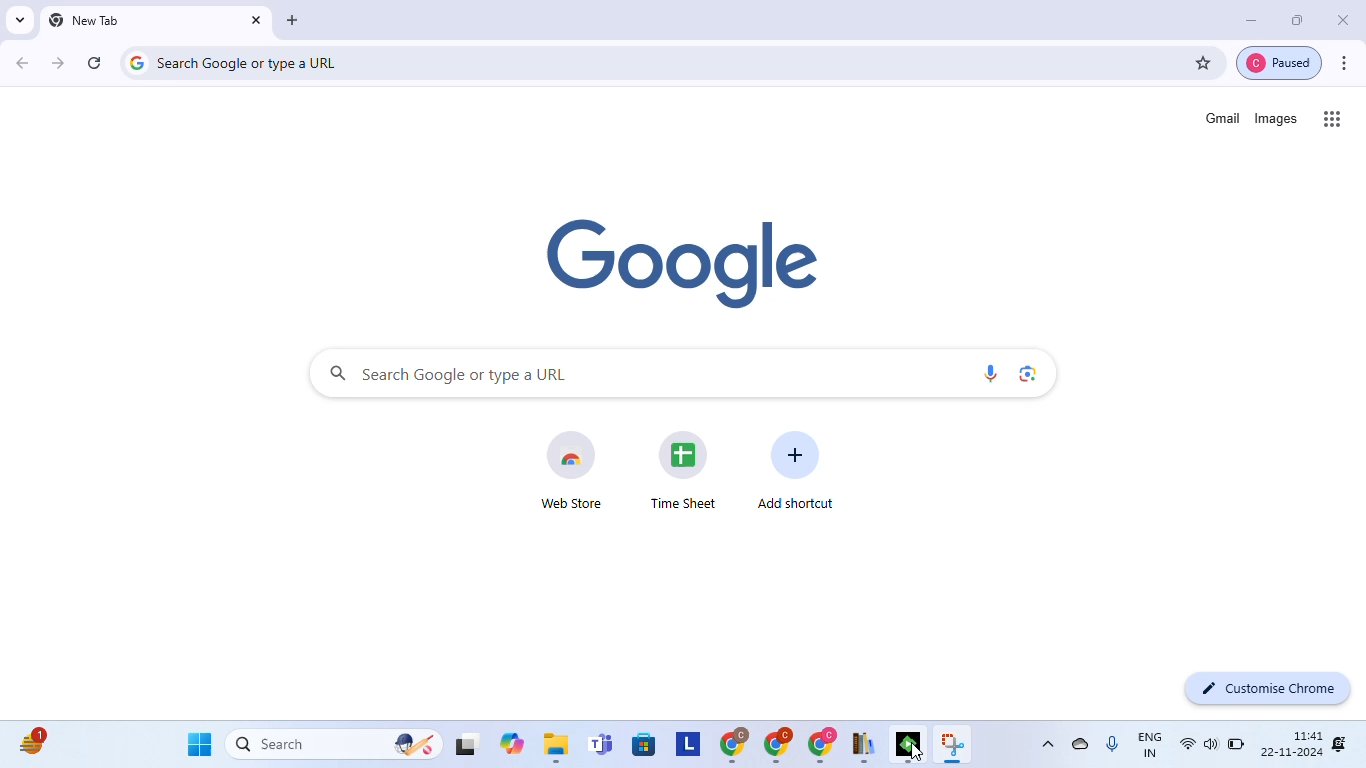 This screenshot has height=768, width=1366. What do you see at coordinates (255, 20) in the screenshot?
I see `close tab` at bounding box center [255, 20].